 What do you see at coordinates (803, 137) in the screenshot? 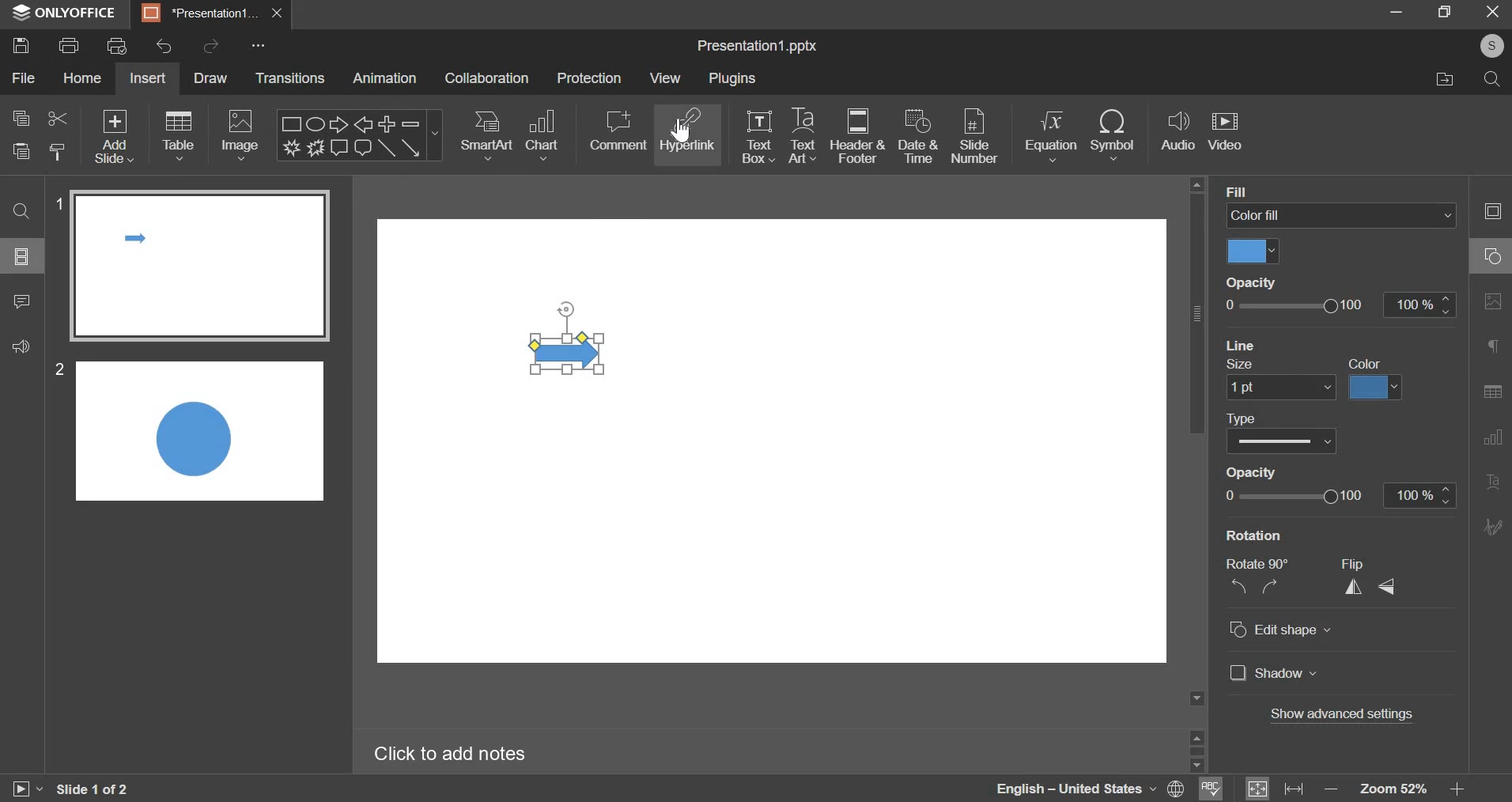
I see `text art` at bounding box center [803, 137].